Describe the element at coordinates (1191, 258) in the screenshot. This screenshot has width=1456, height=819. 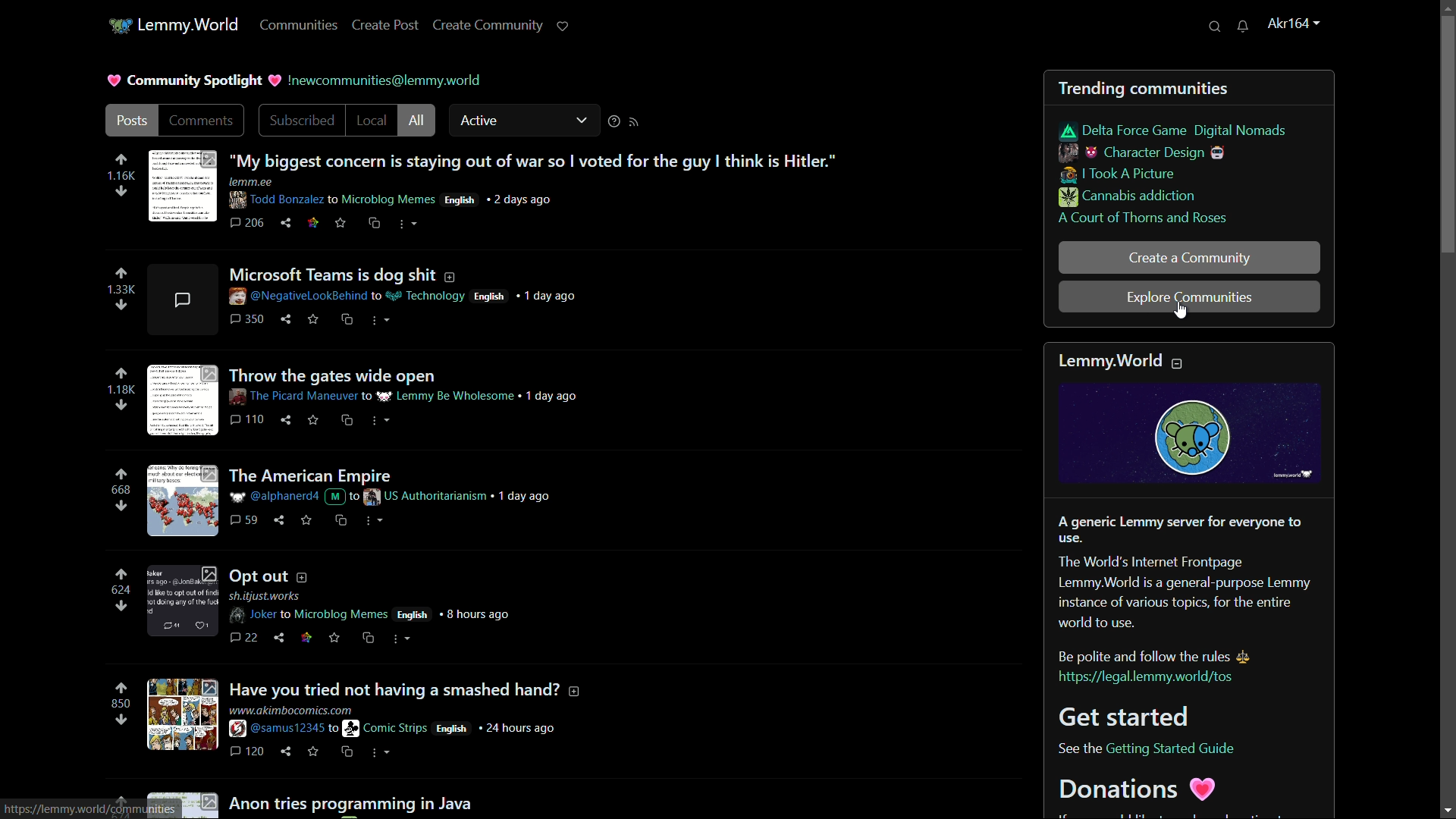
I see `create a community` at that location.